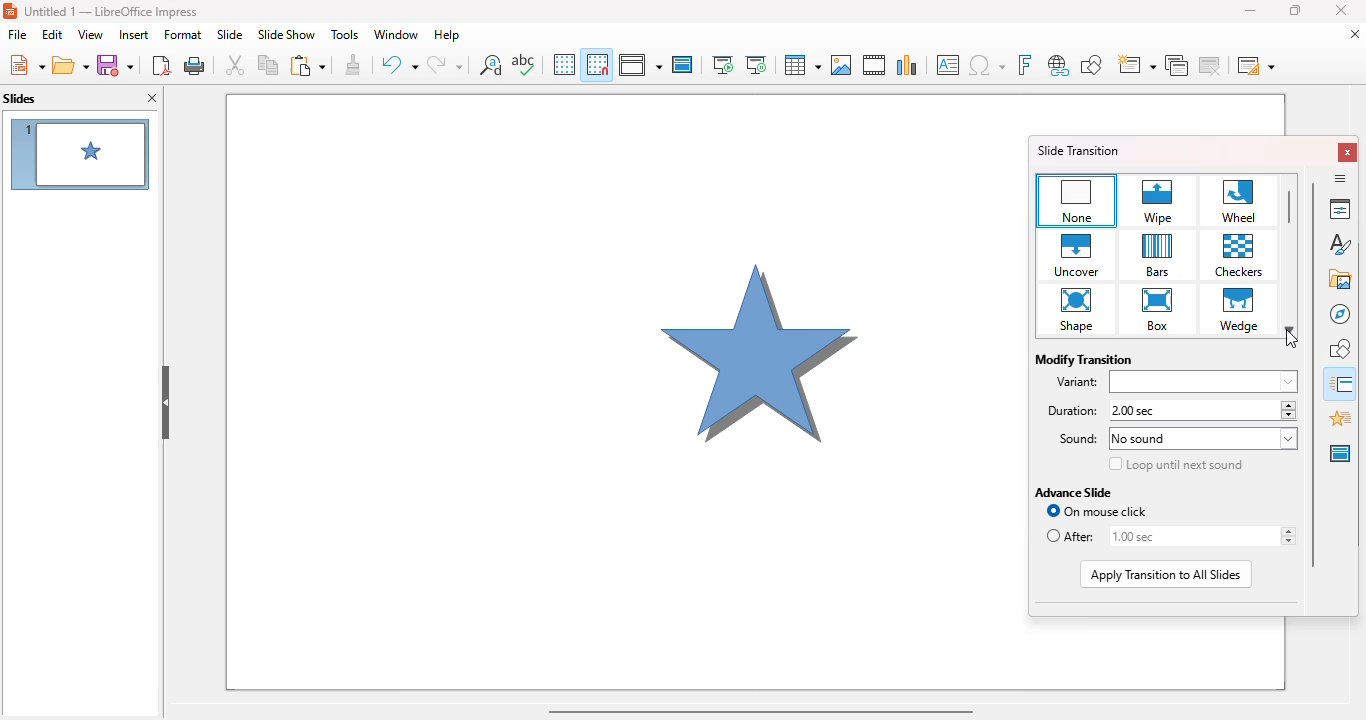 The image size is (1366, 720). I want to click on wedge, so click(1240, 309).